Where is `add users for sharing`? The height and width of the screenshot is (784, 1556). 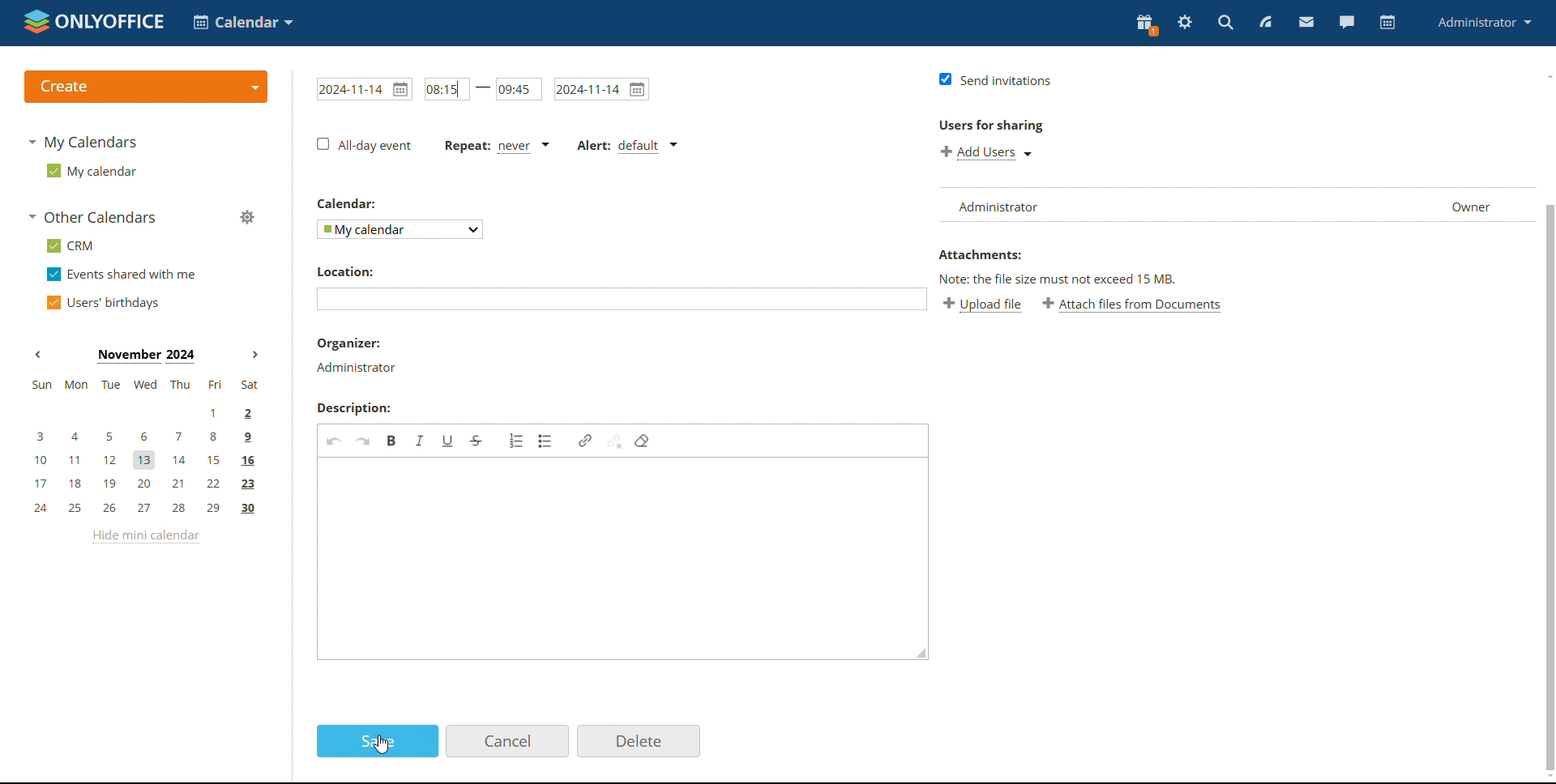 add users for sharing is located at coordinates (985, 151).